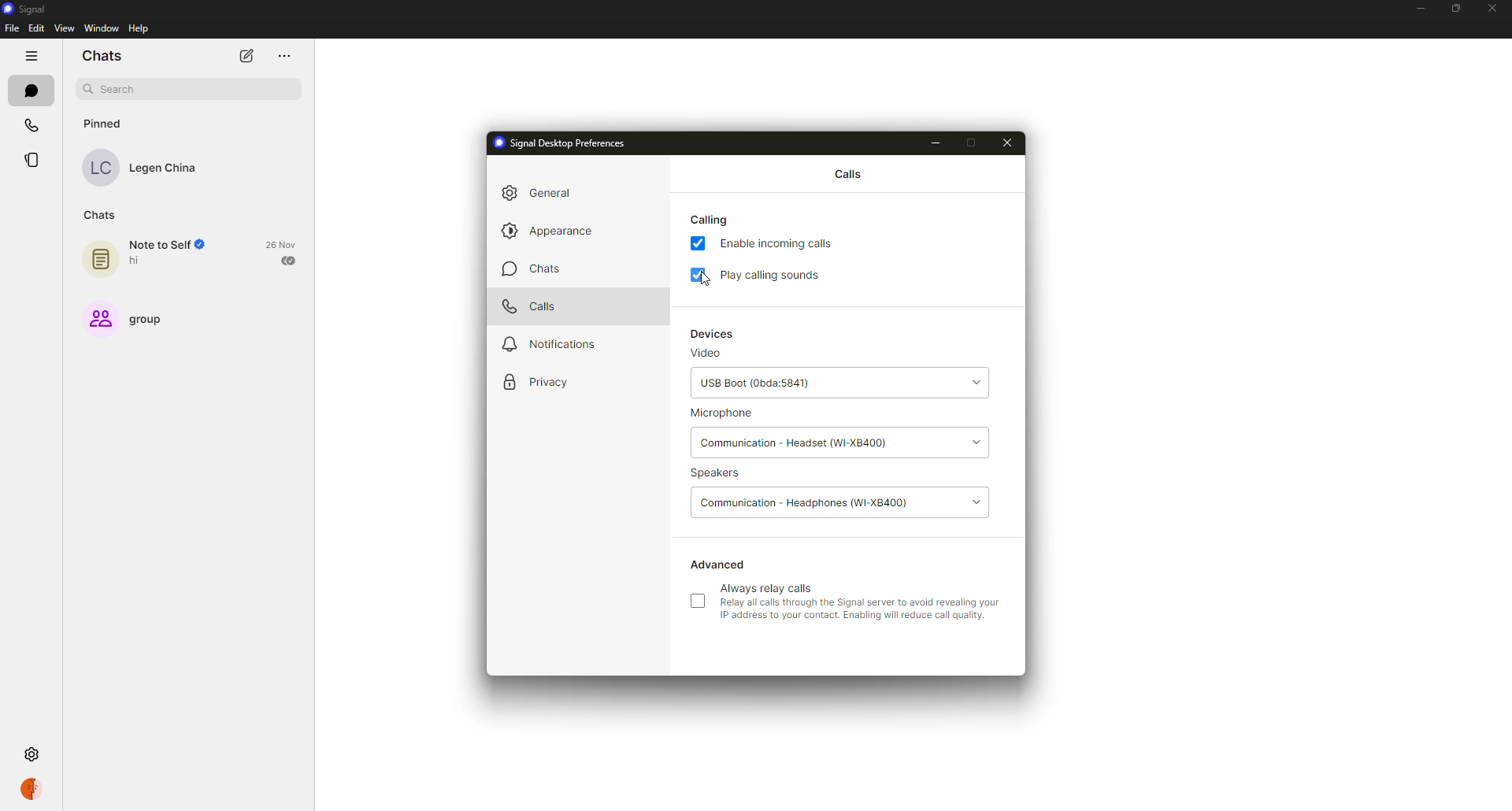 This screenshot has width=1512, height=811. Describe the element at coordinates (780, 244) in the screenshot. I see `enable incoming calls` at that location.